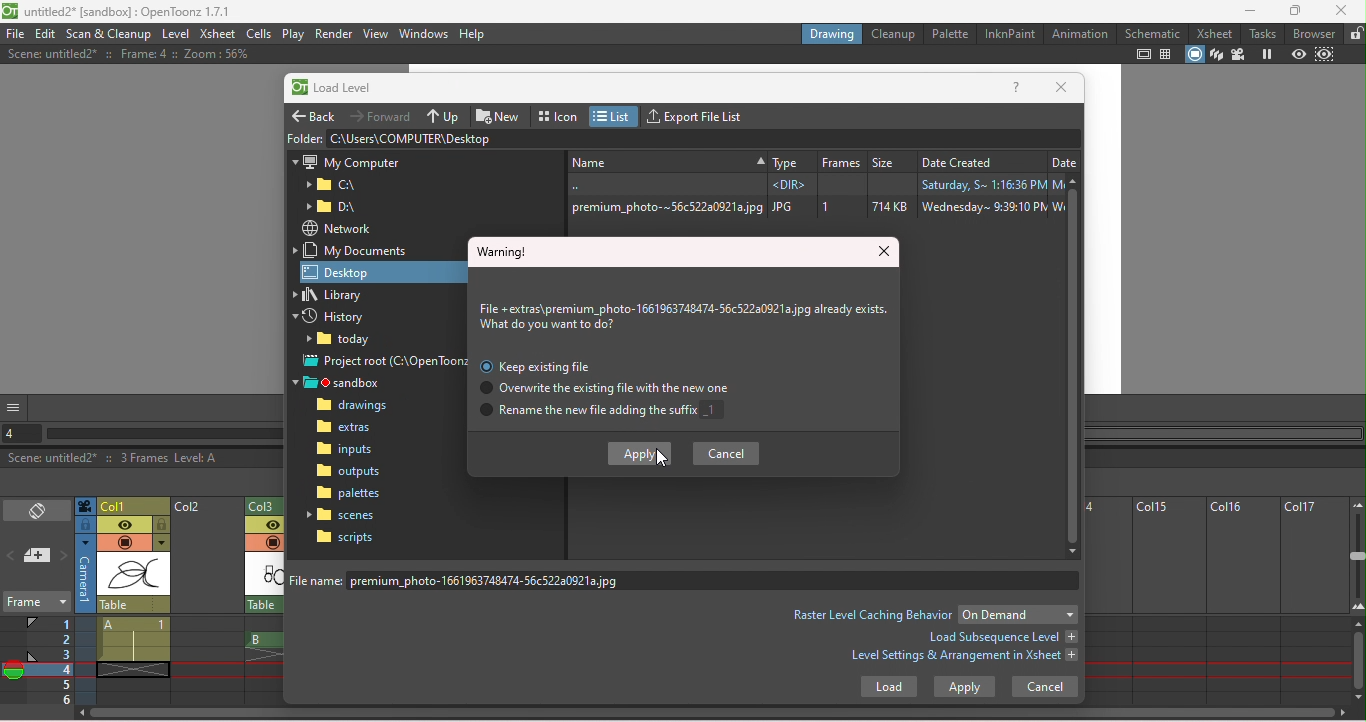  What do you see at coordinates (1017, 89) in the screenshot?
I see `Help` at bounding box center [1017, 89].